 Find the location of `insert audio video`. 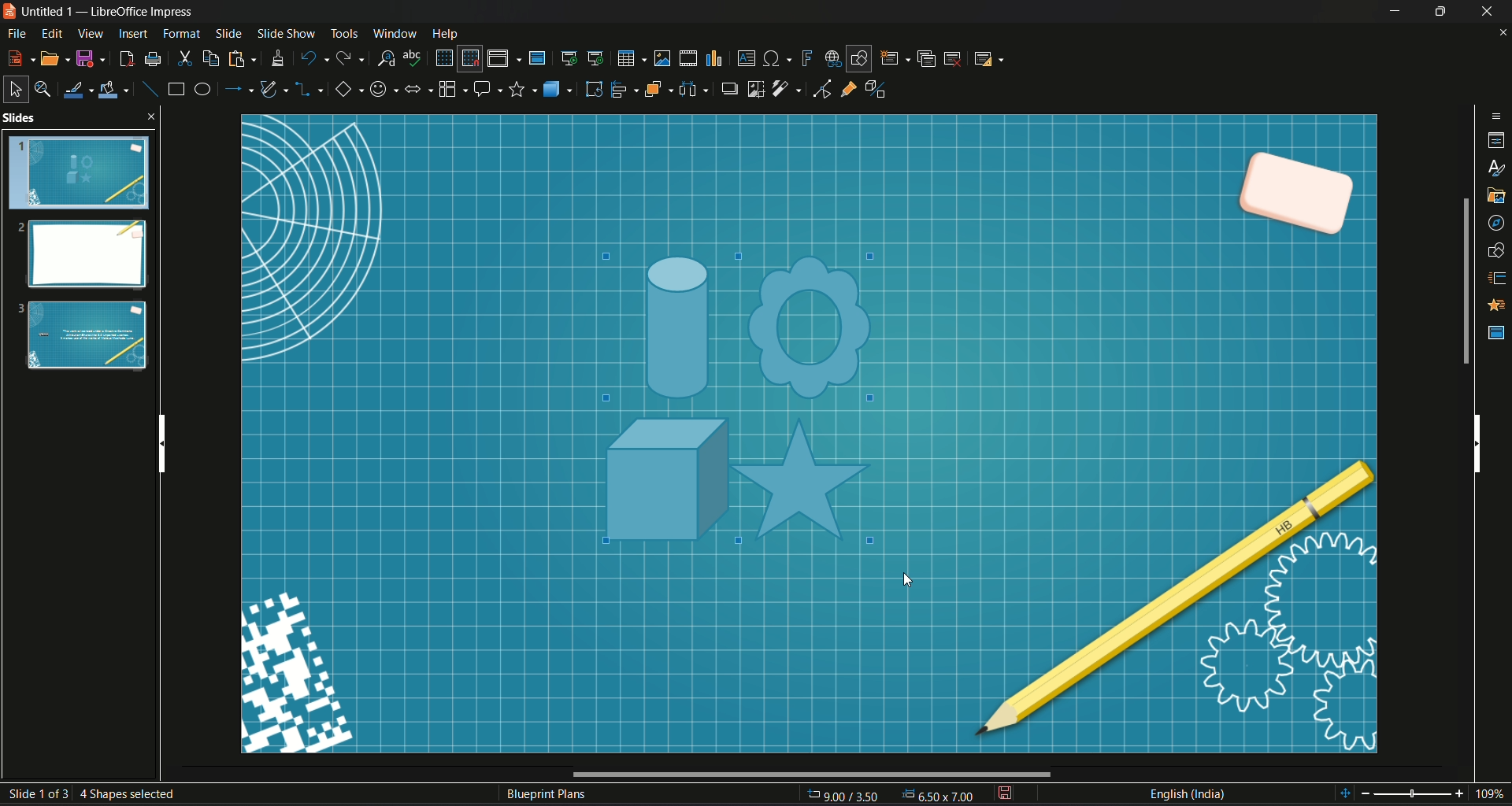

insert audio video is located at coordinates (687, 58).